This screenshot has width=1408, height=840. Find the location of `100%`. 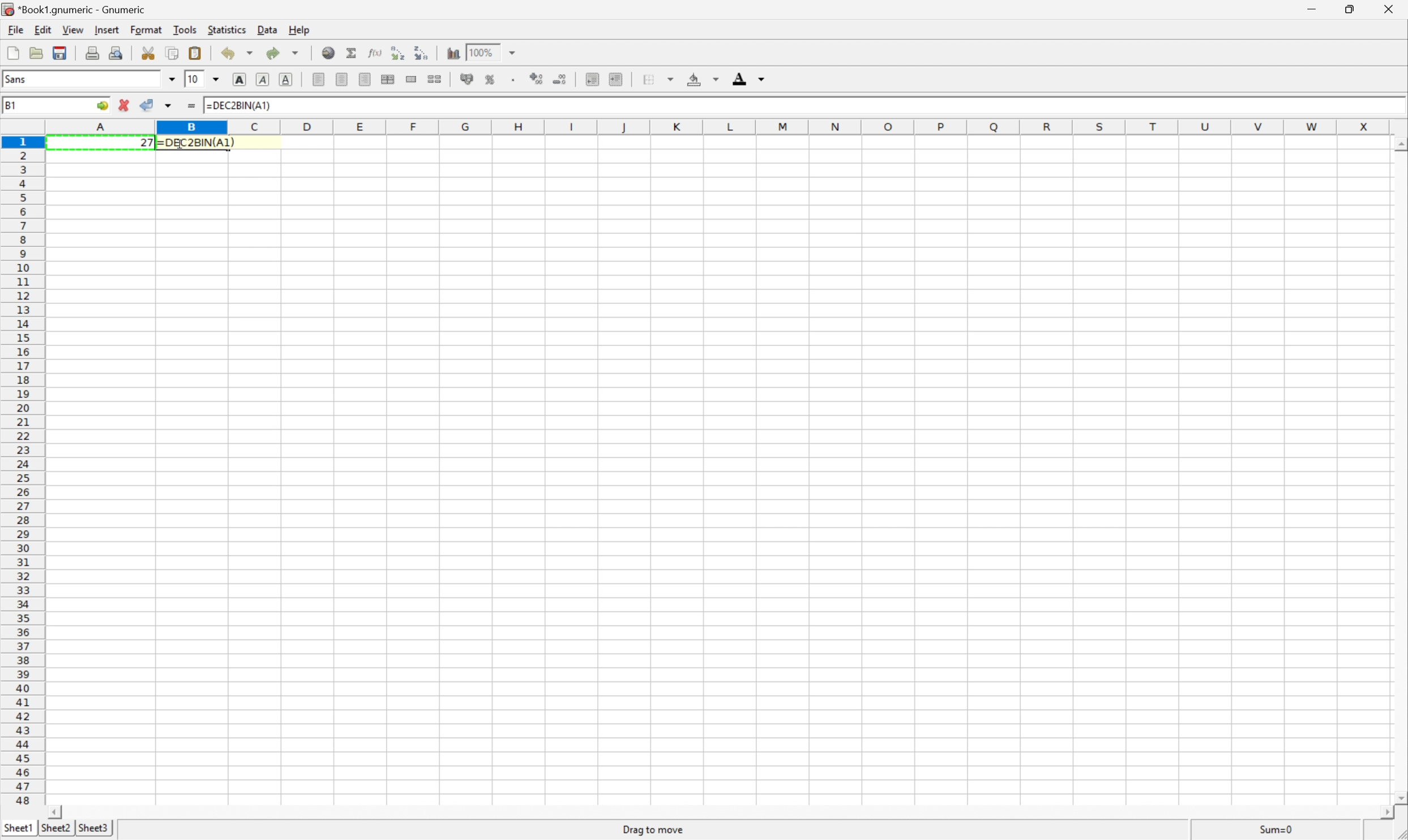

100% is located at coordinates (485, 52).